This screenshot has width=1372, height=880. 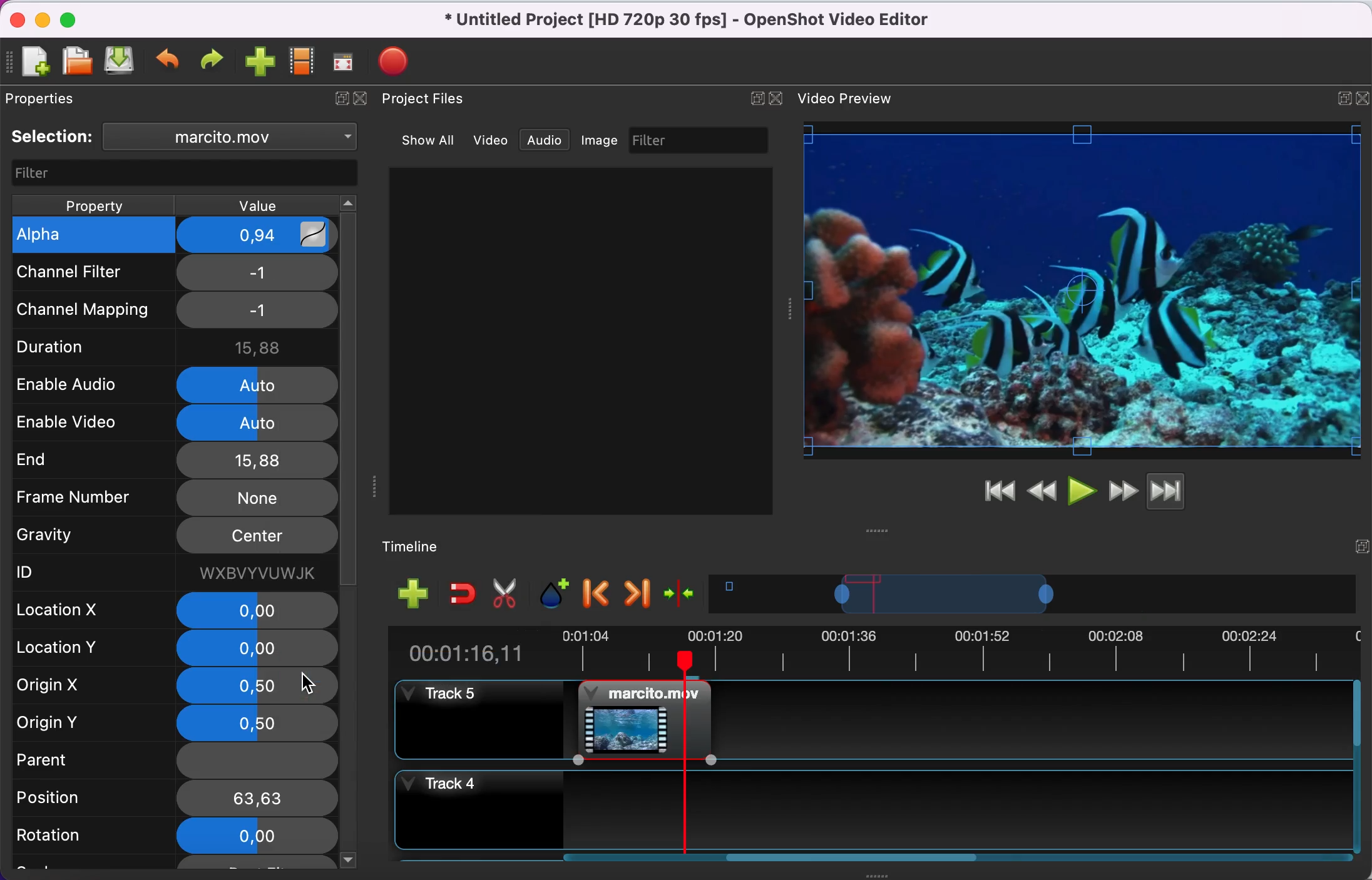 What do you see at coordinates (638, 716) in the screenshot?
I see `video clip` at bounding box center [638, 716].